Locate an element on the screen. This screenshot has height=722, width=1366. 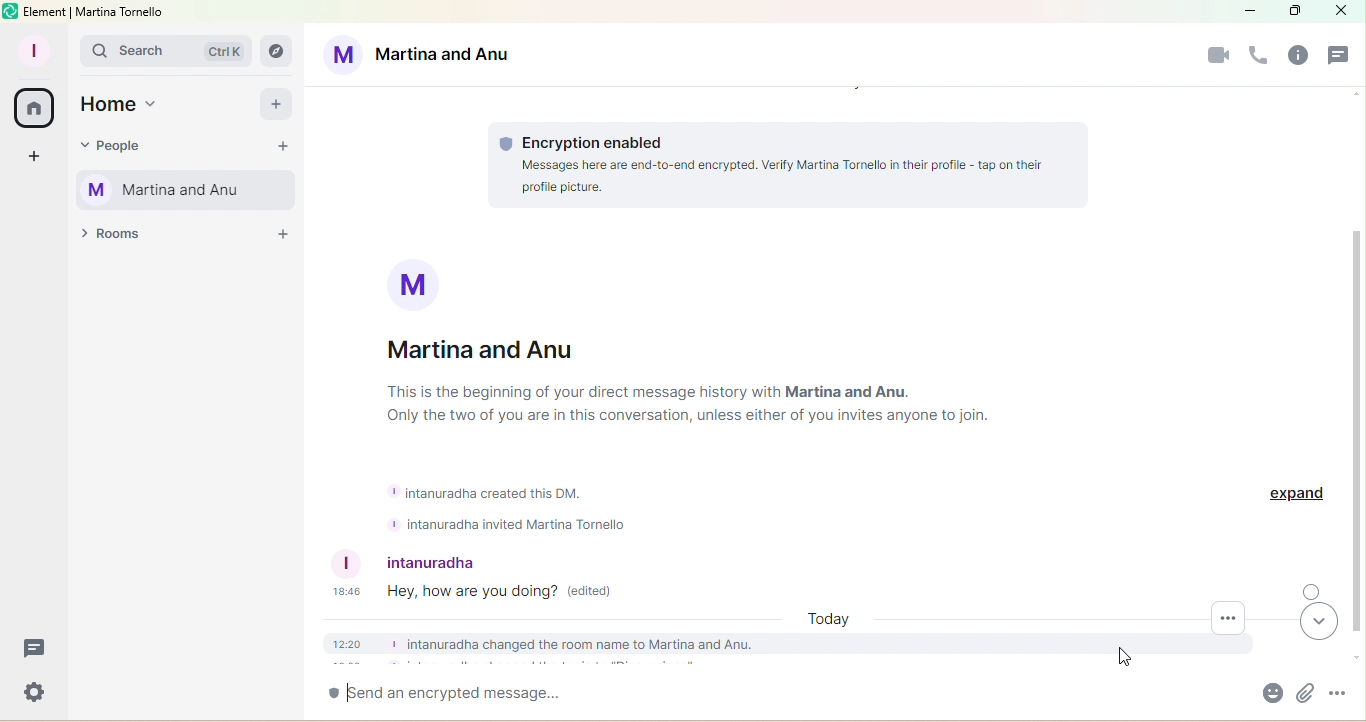
Emoji is located at coordinates (1273, 693).